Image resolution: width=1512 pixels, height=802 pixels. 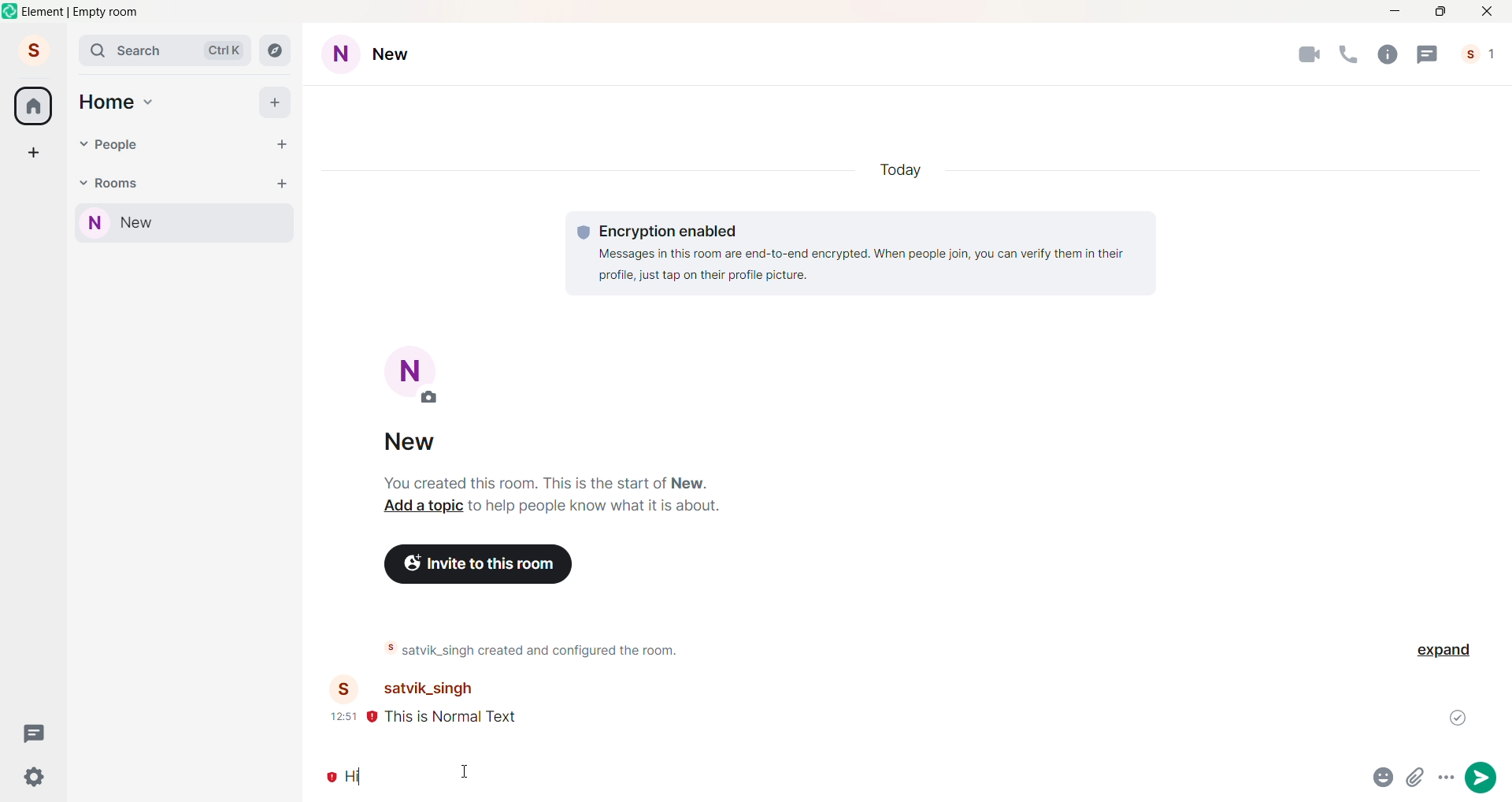 What do you see at coordinates (150, 100) in the screenshot?
I see `Home drop down` at bounding box center [150, 100].